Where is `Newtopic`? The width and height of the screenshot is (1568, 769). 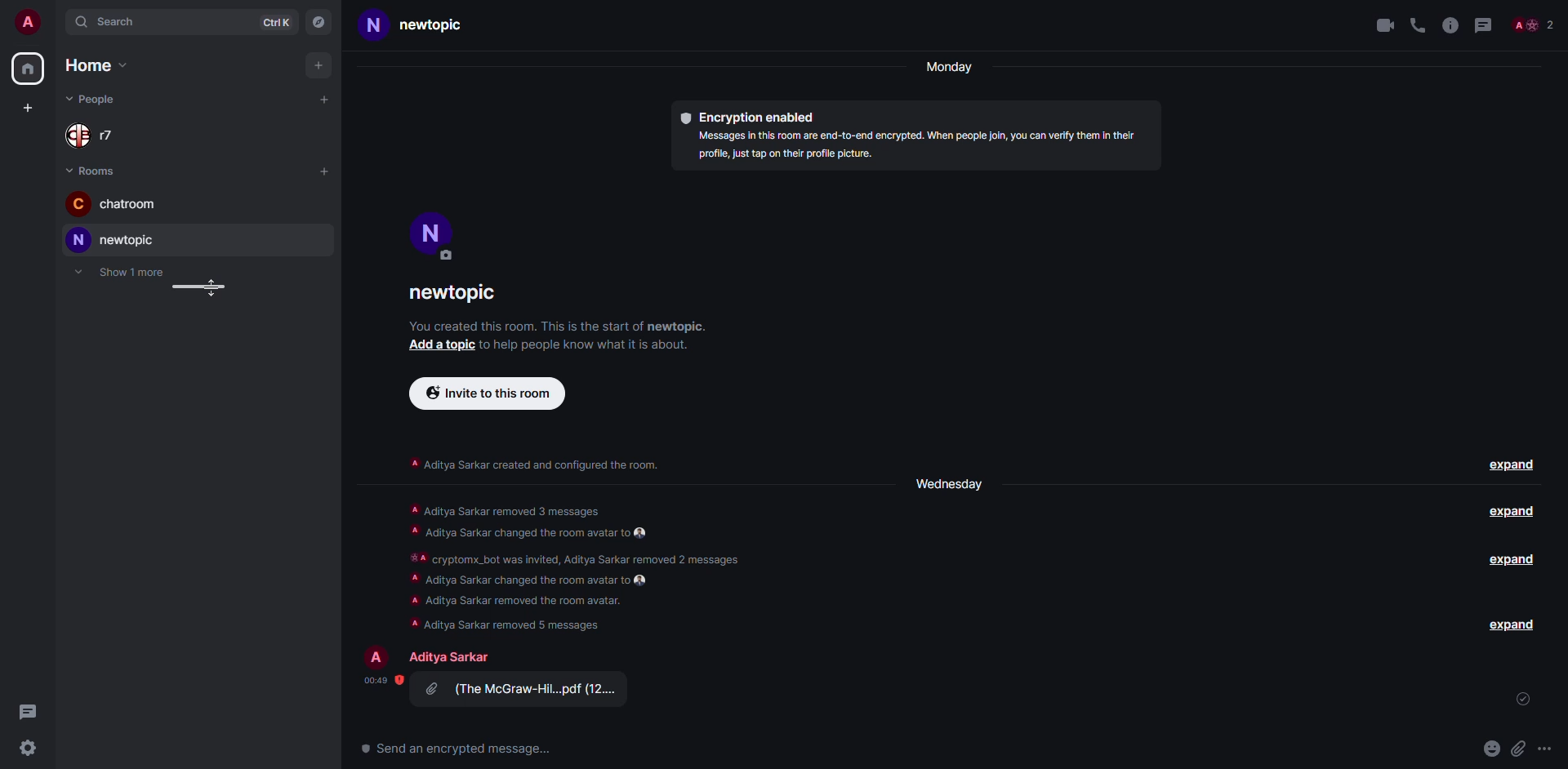 Newtopic is located at coordinates (405, 29).